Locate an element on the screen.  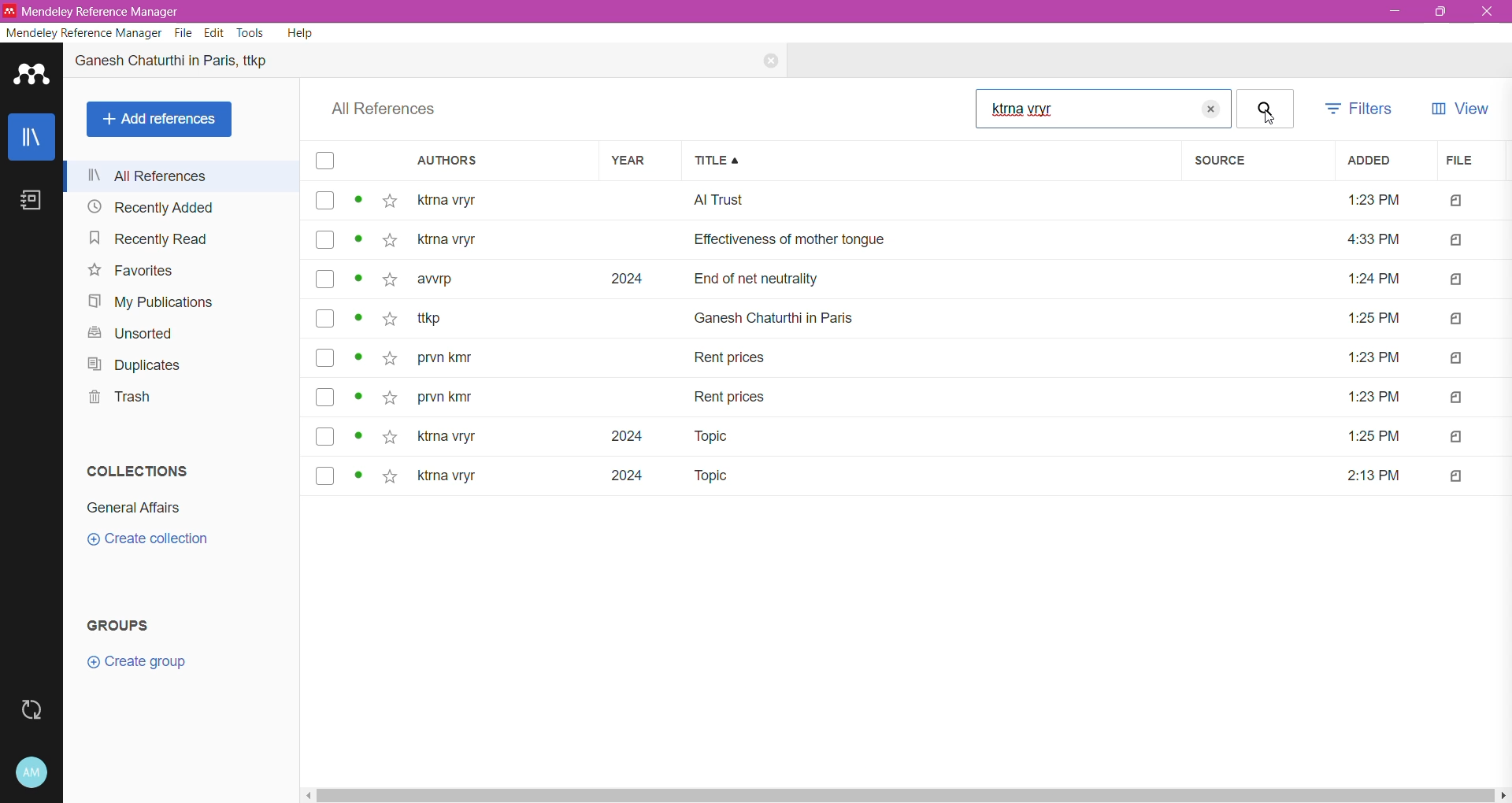
Edit is located at coordinates (213, 33).